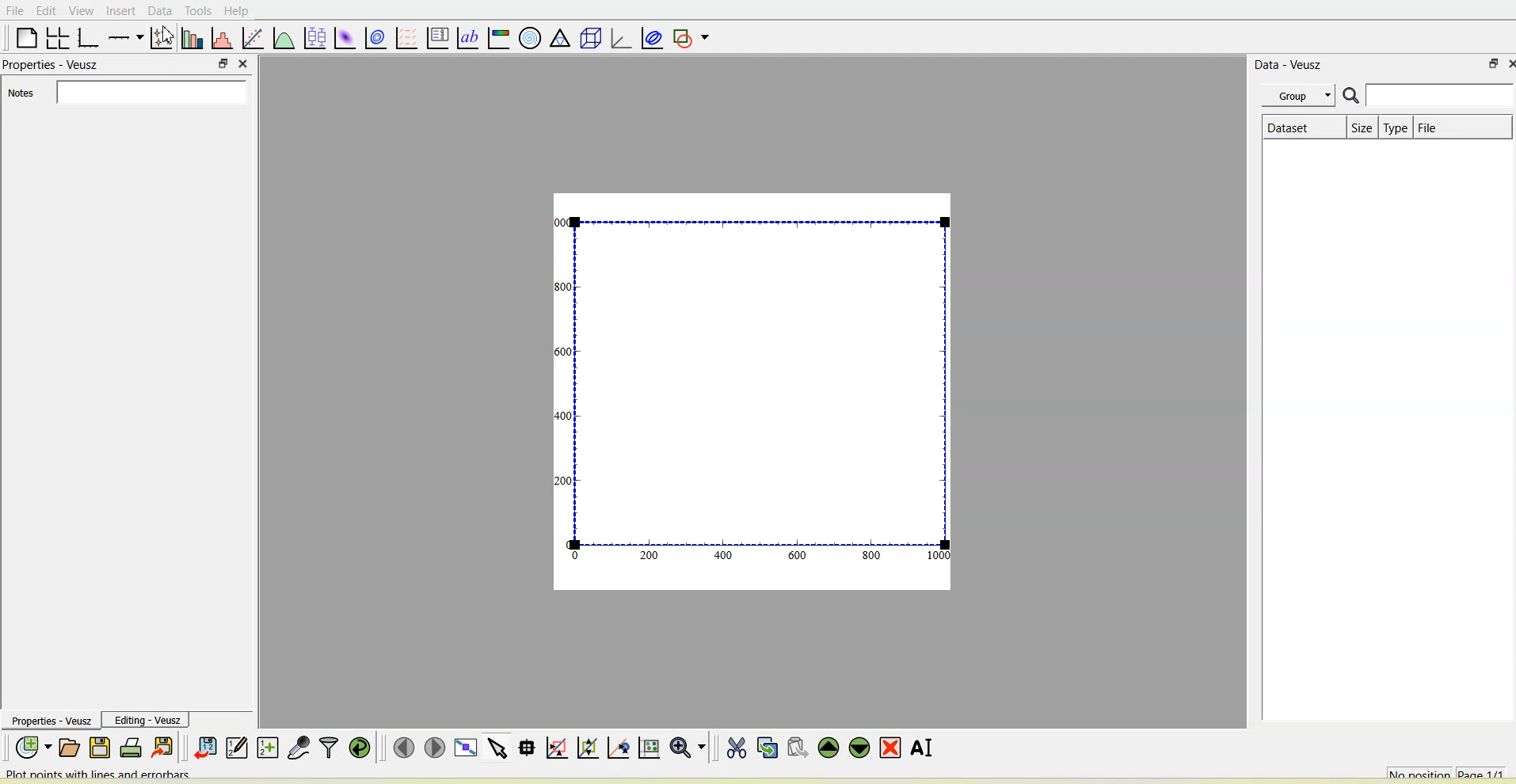 This screenshot has width=1516, height=784. Describe the element at coordinates (1396, 127) in the screenshot. I see `Type` at that location.